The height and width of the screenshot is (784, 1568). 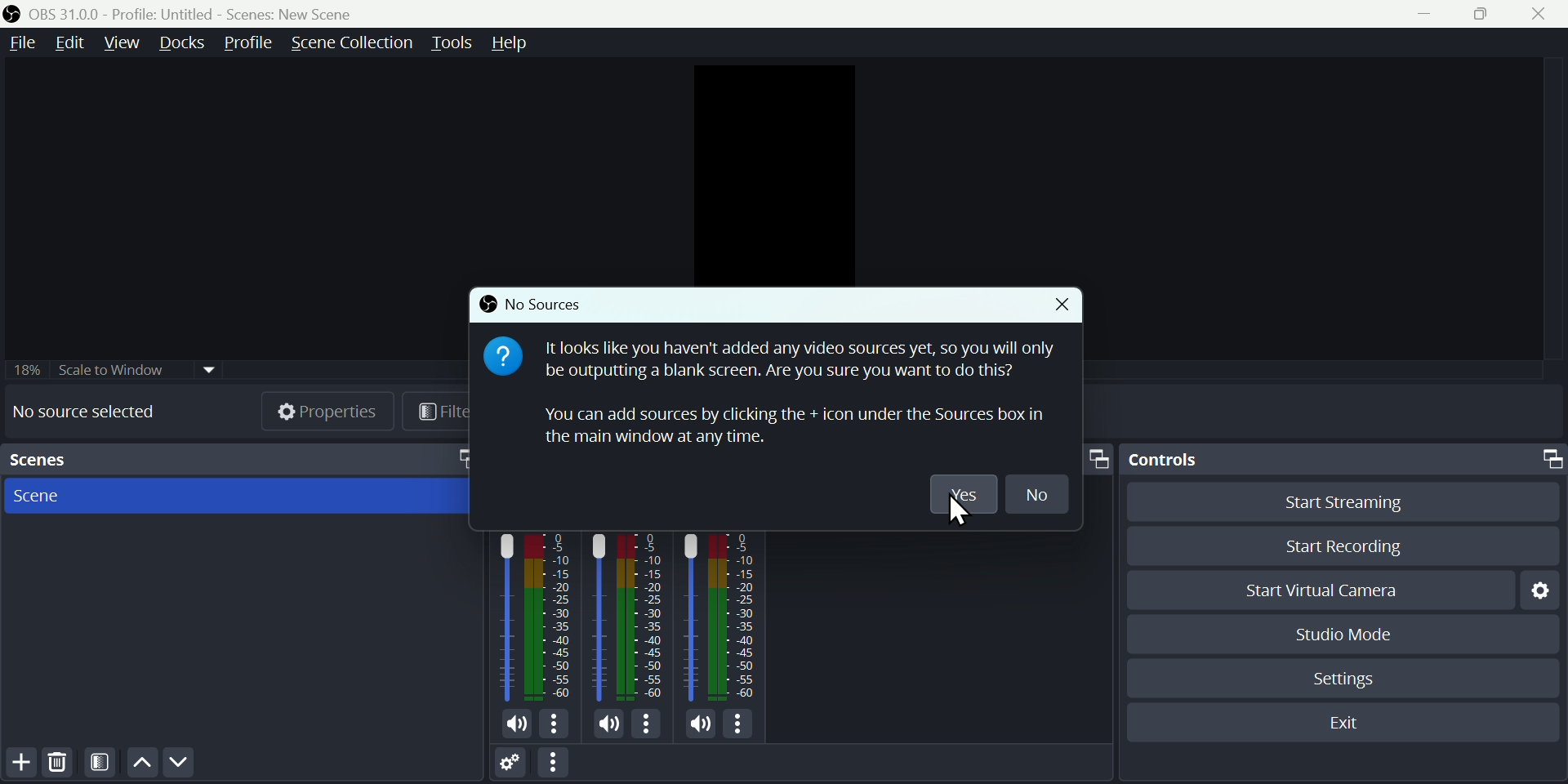 I want to click on Settings, so click(x=510, y=760).